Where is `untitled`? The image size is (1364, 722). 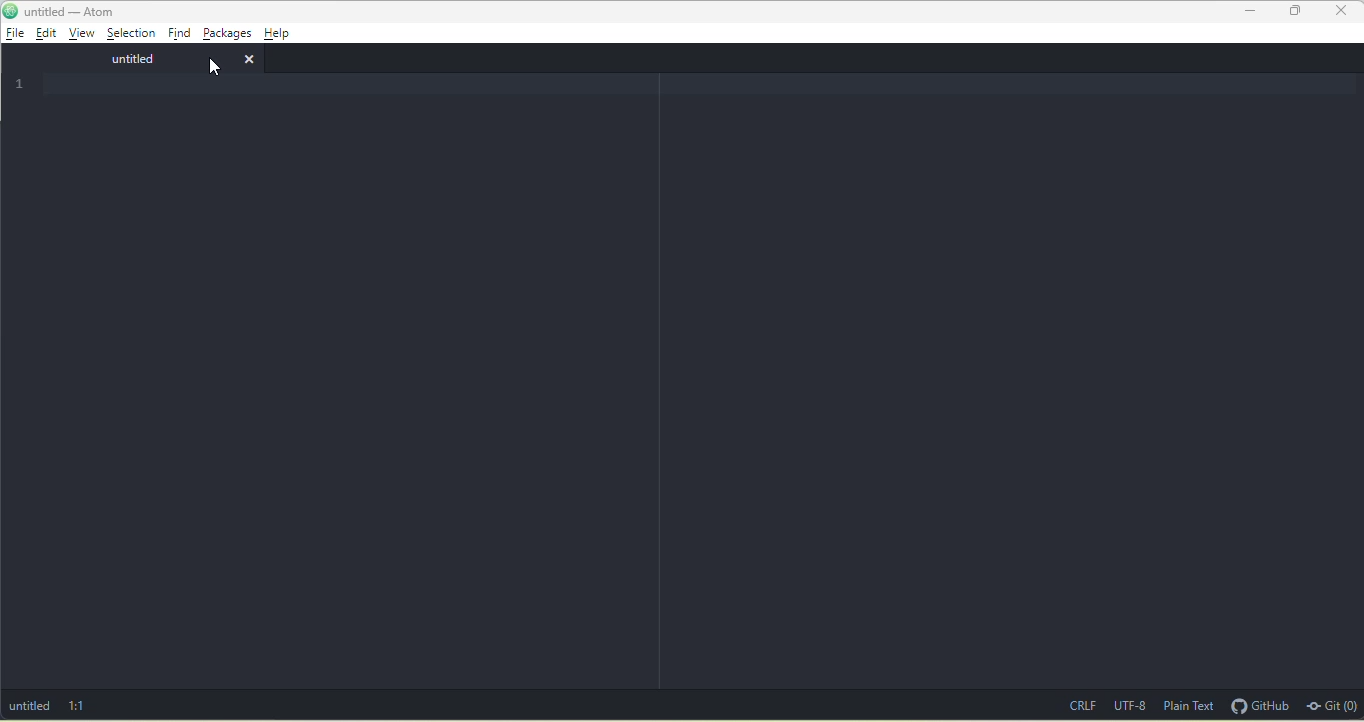
untitled is located at coordinates (119, 59).